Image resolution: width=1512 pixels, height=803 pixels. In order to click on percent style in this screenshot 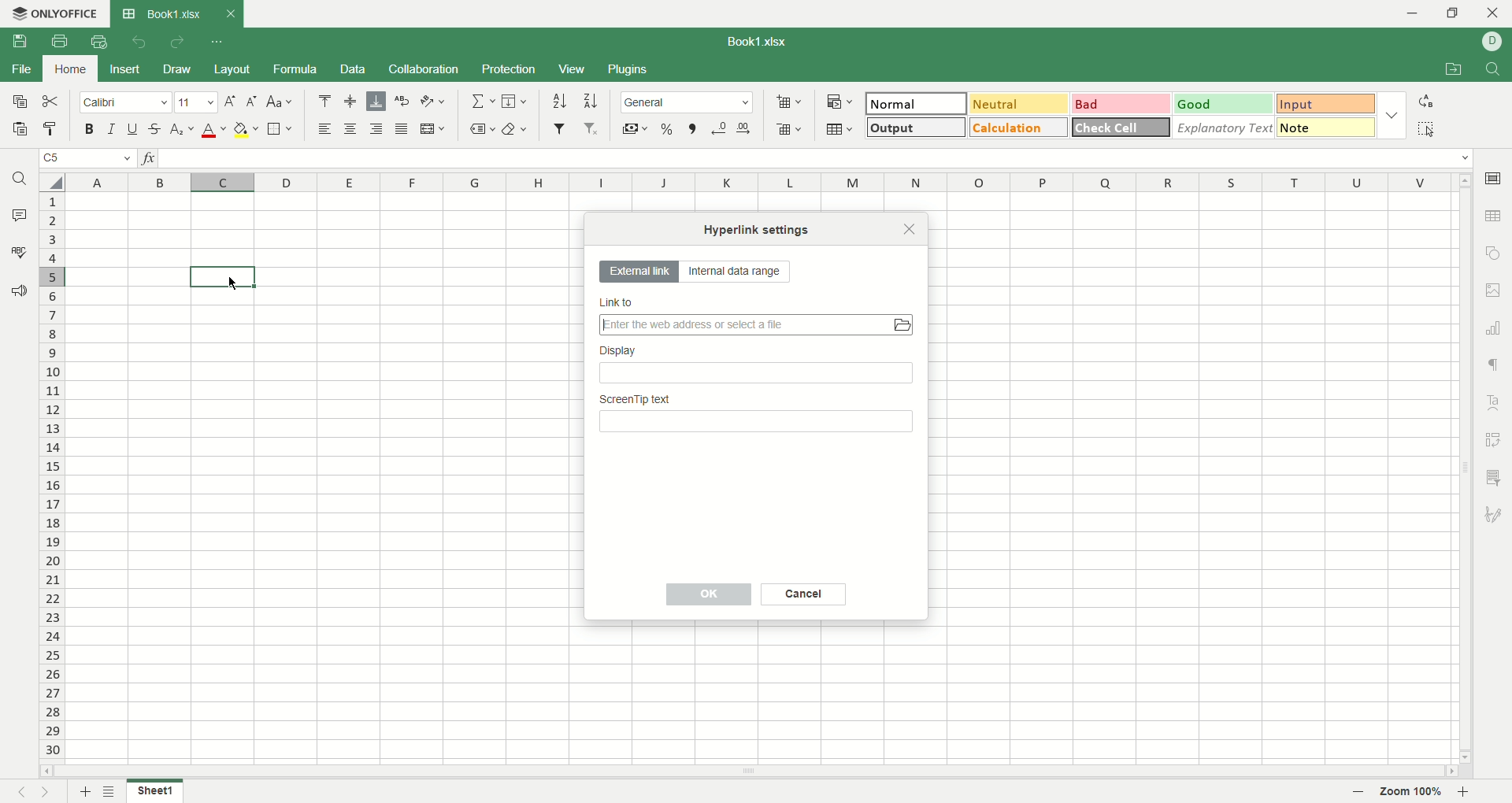, I will do `click(668, 128)`.